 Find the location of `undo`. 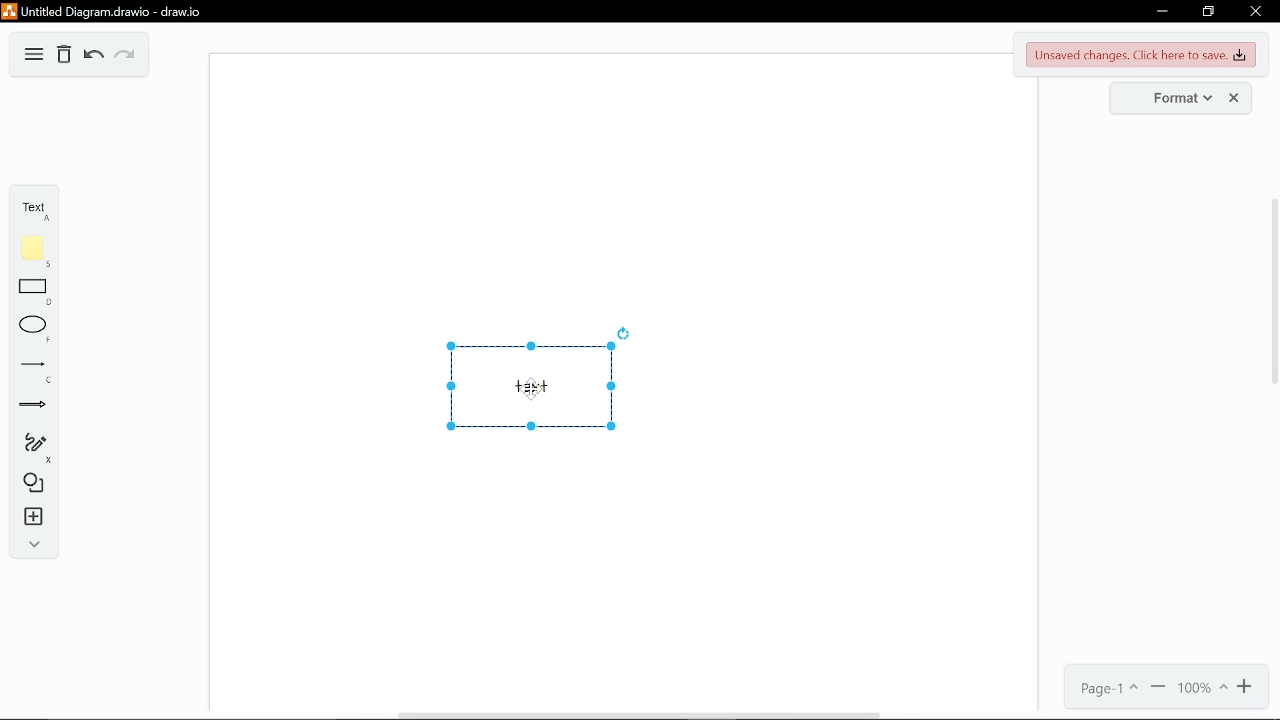

undo is located at coordinates (92, 56).